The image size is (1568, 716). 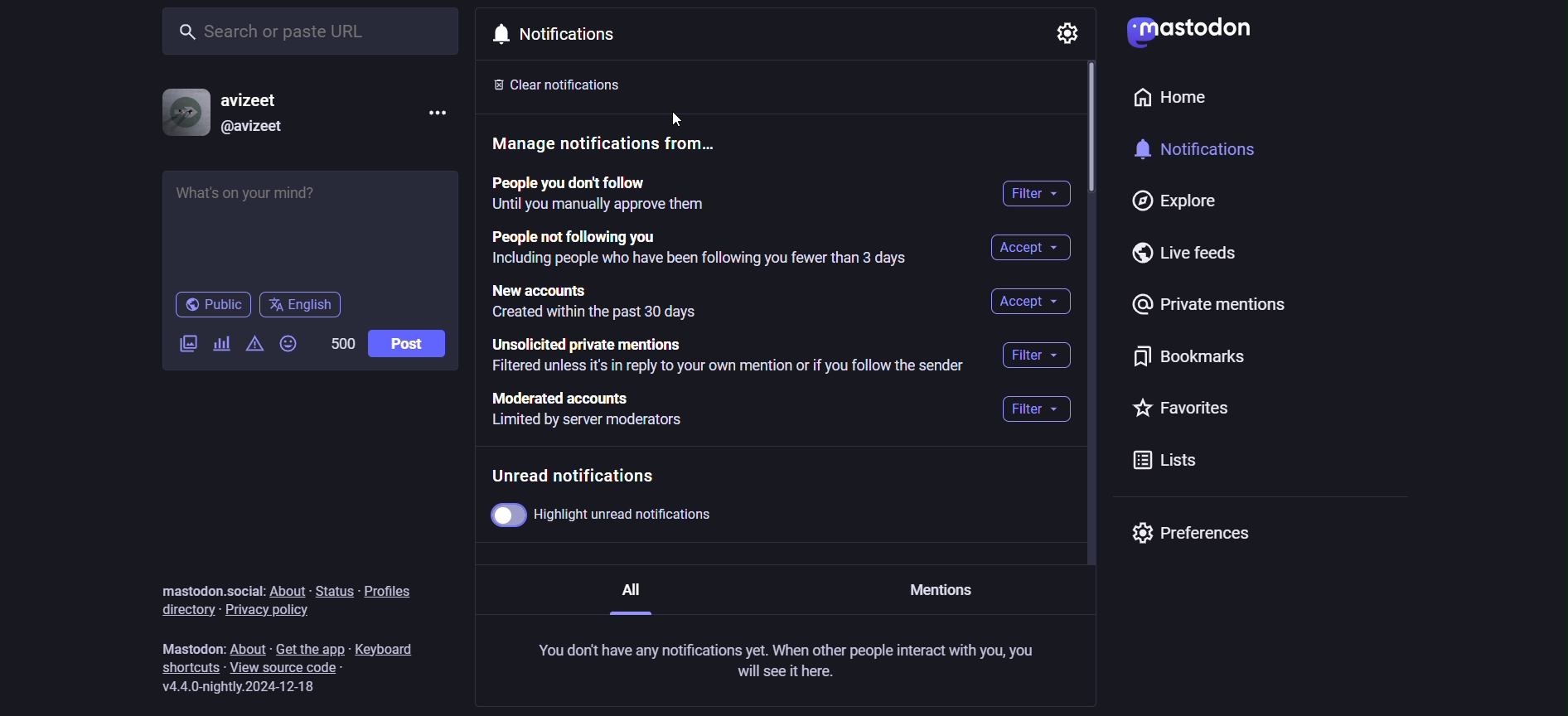 I want to click on people you dont follow, so click(x=598, y=196).